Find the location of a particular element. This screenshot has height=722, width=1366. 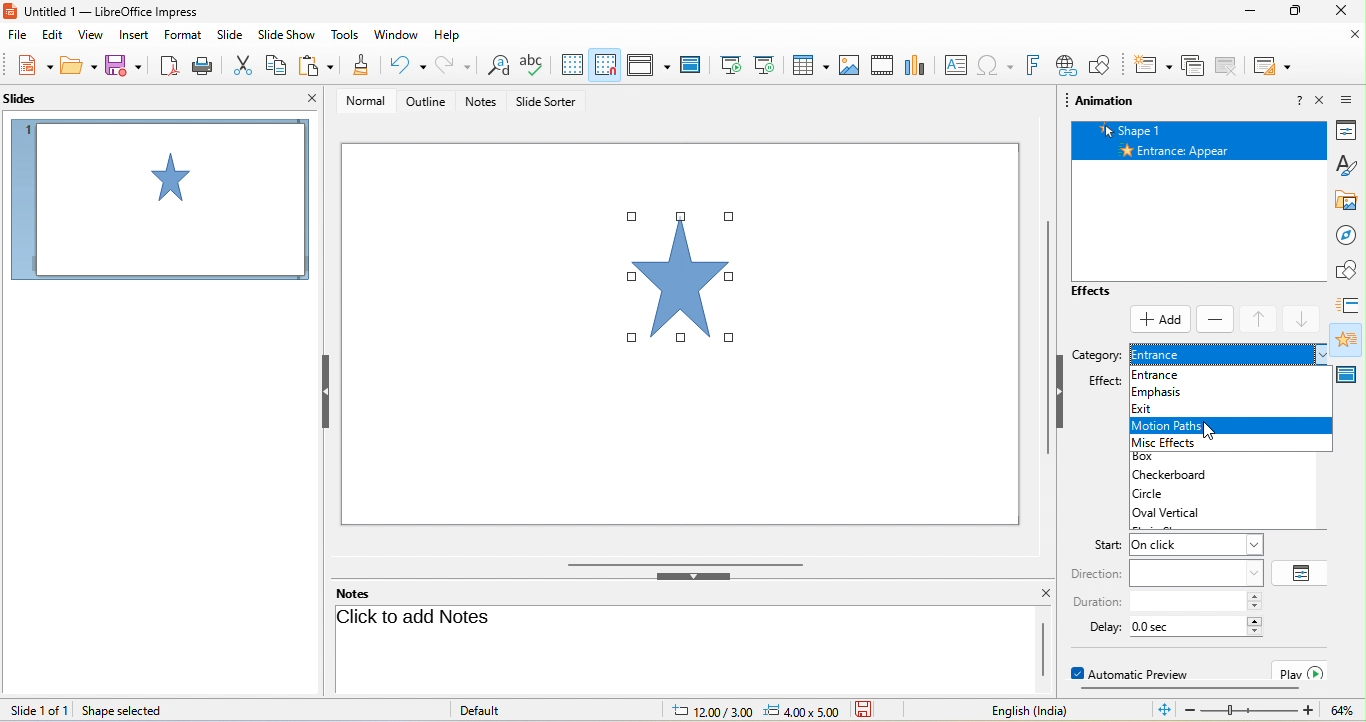

insert is located at coordinates (132, 36).